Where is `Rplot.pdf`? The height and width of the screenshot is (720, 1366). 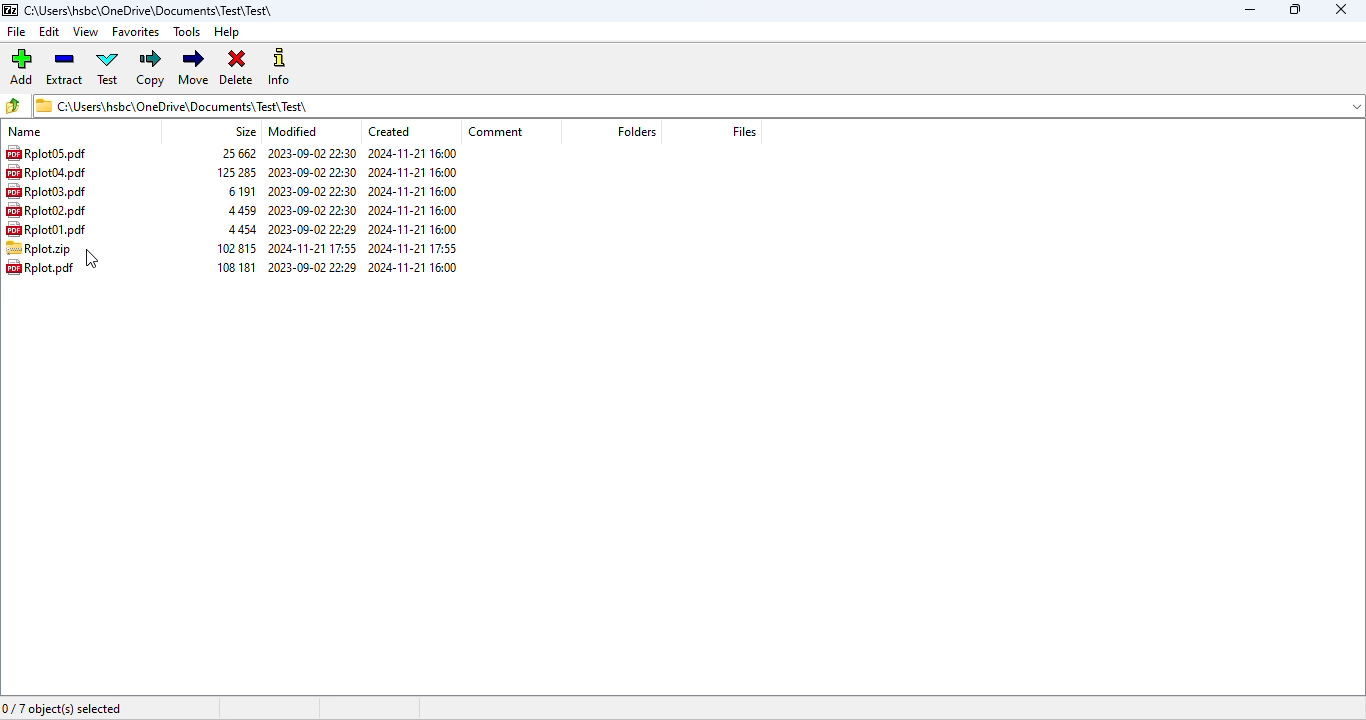
Rplot.pdf is located at coordinates (43, 271).